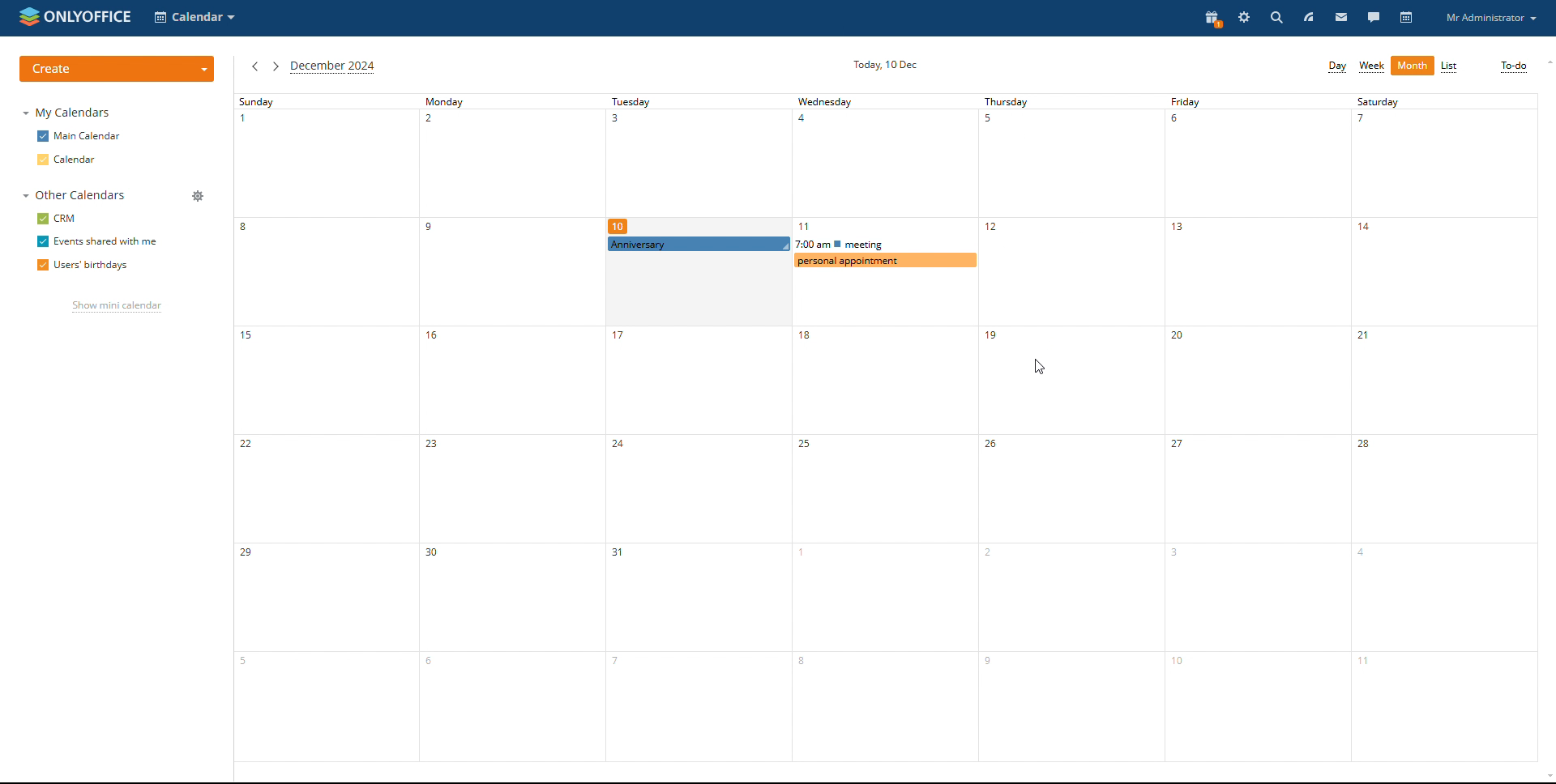 The height and width of the screenshot is (784, 1556). I want to click on friday, so click(1258, 428).